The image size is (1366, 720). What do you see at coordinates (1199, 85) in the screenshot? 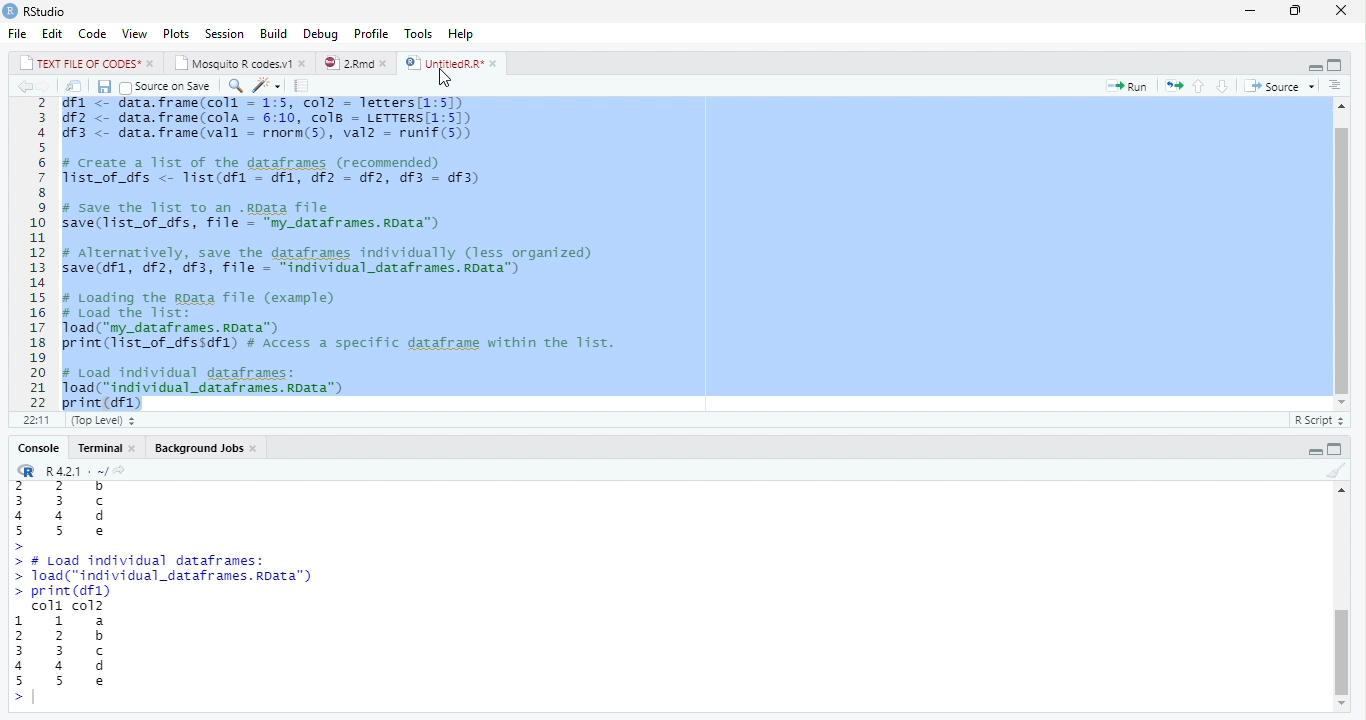
I see `Go to previous section` at bounding box center [1199, 85].